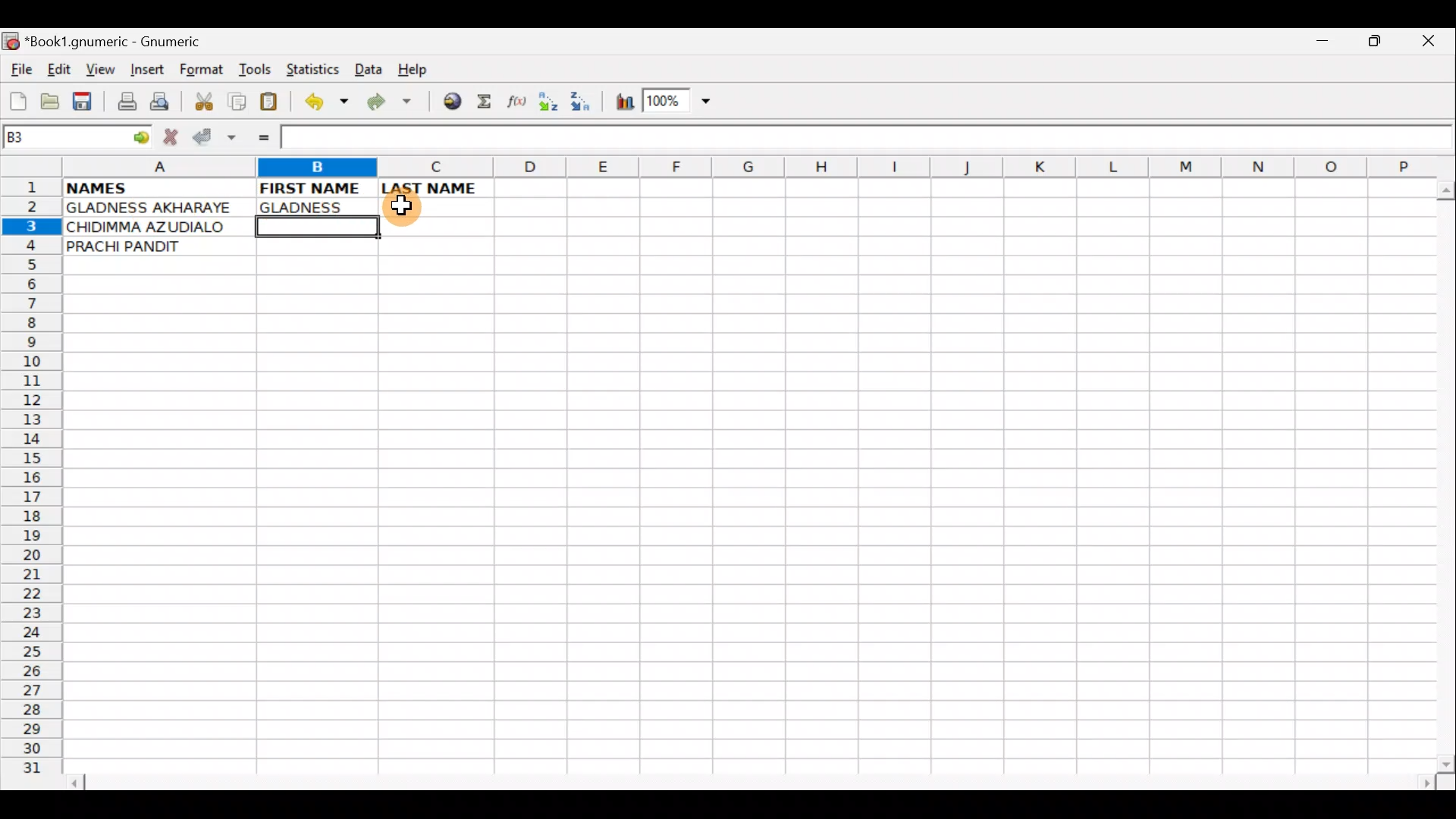  Describe the element at coordinates (368, 68) in the screenshot. I see `Data` at that location.